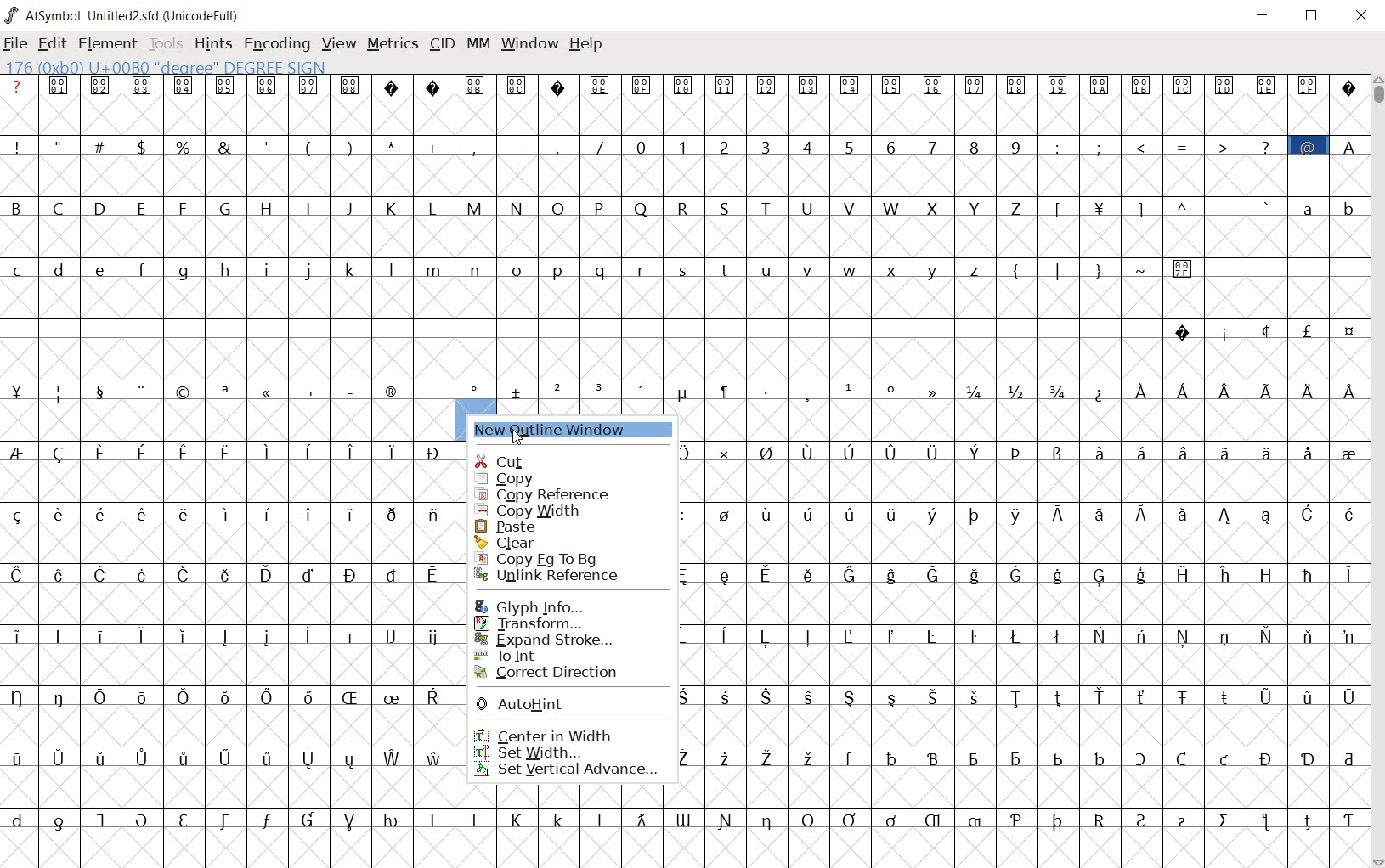  I want to click on cursor, so click(516, 428).